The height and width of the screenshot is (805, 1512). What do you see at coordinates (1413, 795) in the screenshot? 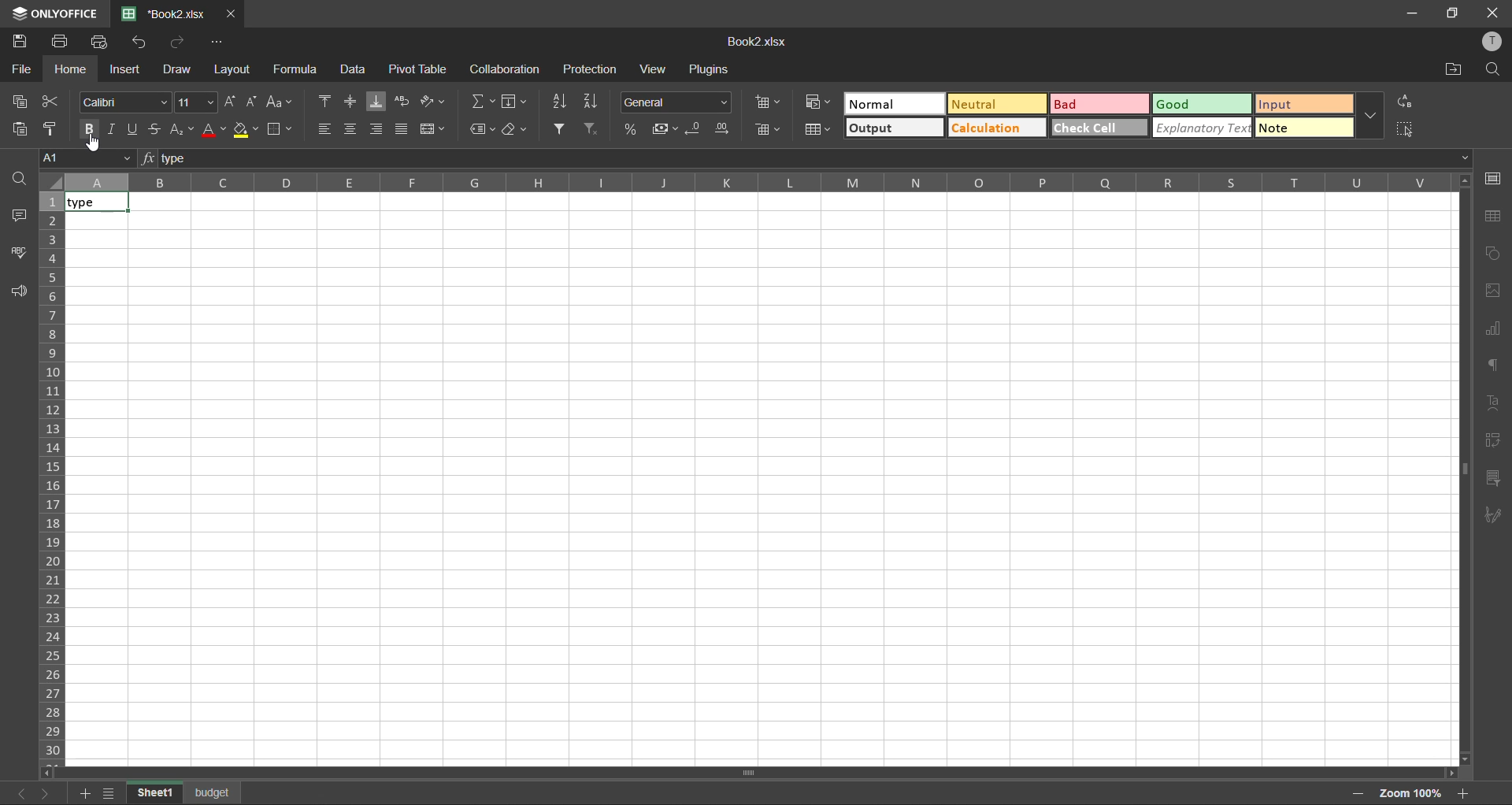
I see `zoom factor` at bounding box center [1413, 795].